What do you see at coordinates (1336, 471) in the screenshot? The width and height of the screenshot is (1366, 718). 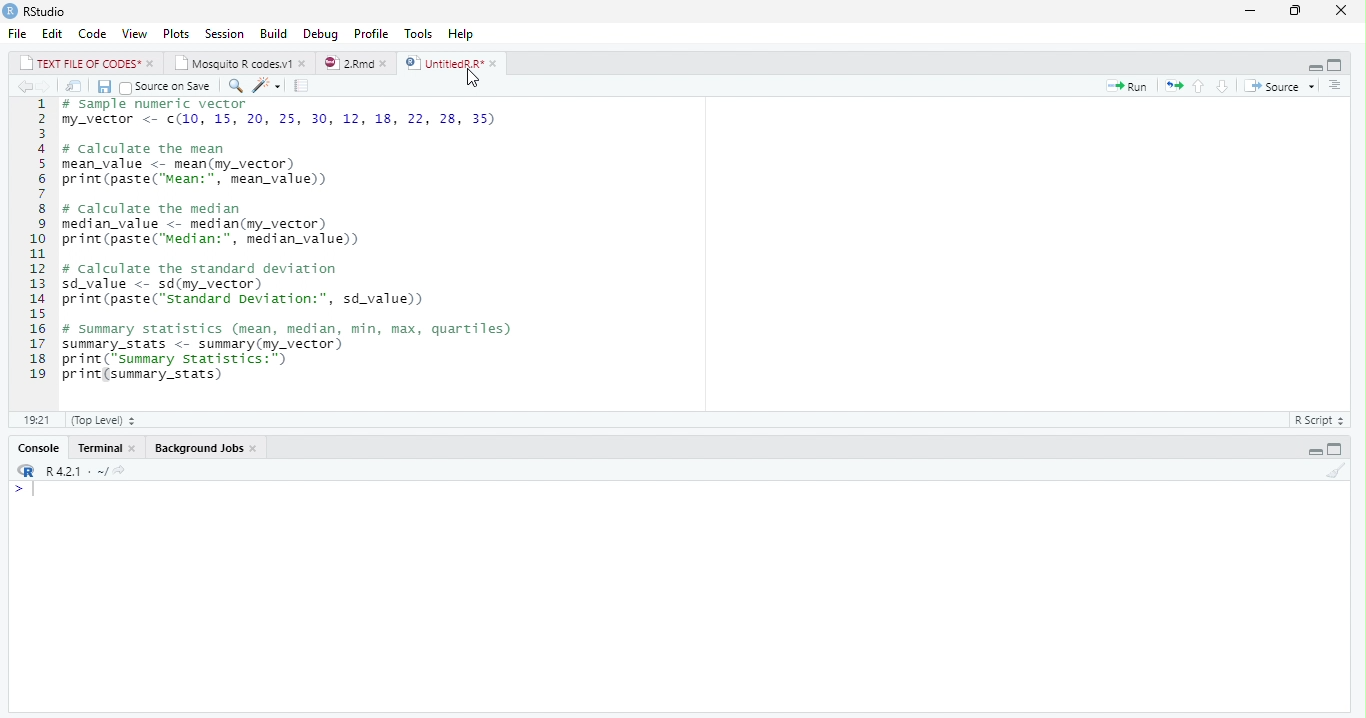 I see `clear console` at bounding box center [1336, 471].